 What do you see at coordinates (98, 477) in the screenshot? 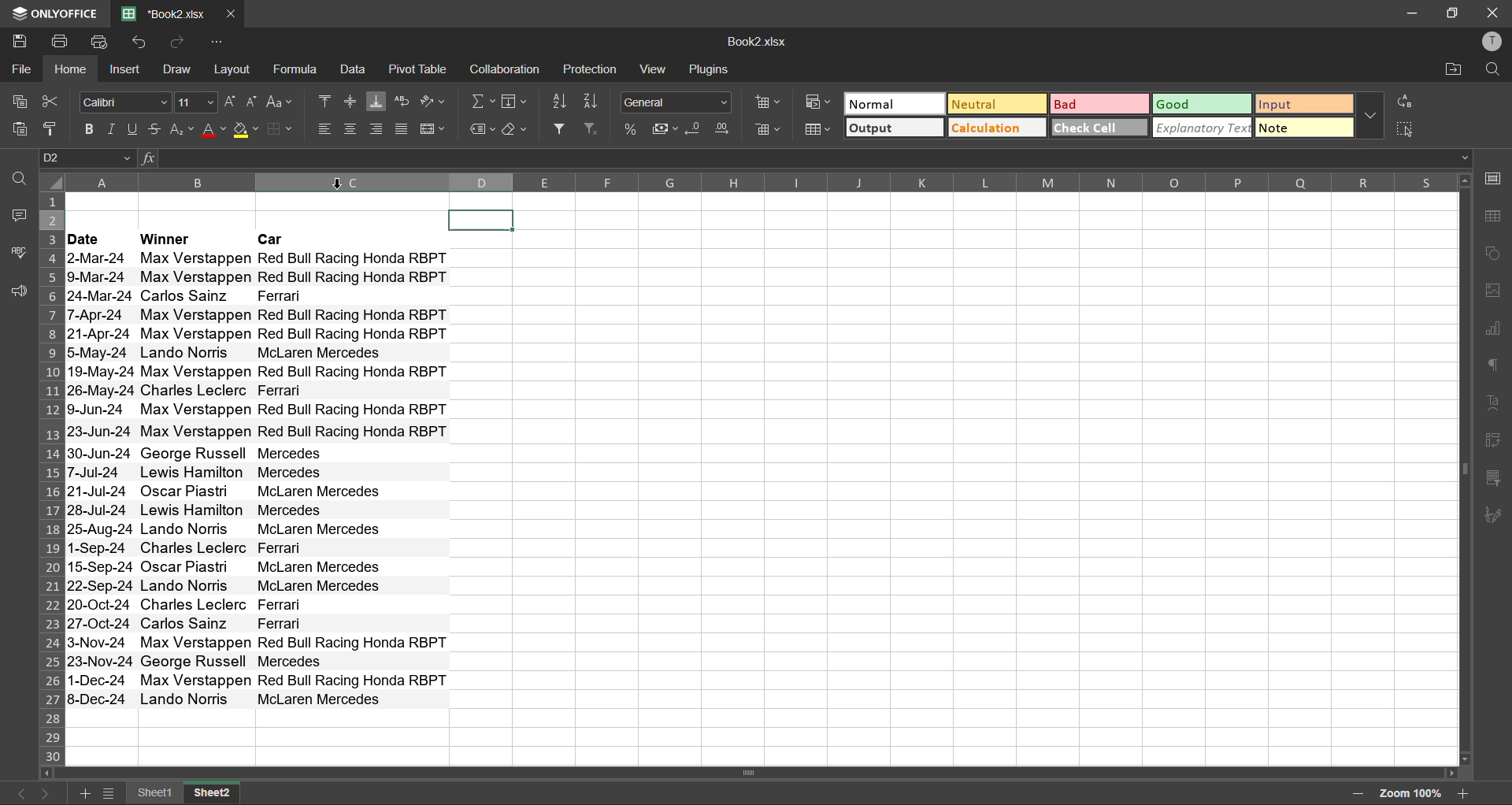
I see `2-Mar-24
9-Mar-24
24-Mar-24
7-Apr-24
21-Apr-24
5-May-24
19-May-24
26-May-24
9-Jun-24
23-Jun-24
30-Jun-24
7-Jul-24
21-Jul-24
28-Jul-24
25-Aug-24
1-Sep-24
15-Sep-24
22-Sep-24
20-Oct-24
27-Oct-24
3-Nov-24
23-Nov-24
1-Dec-24
8.Dec-24` at bounding box center [98, 477].